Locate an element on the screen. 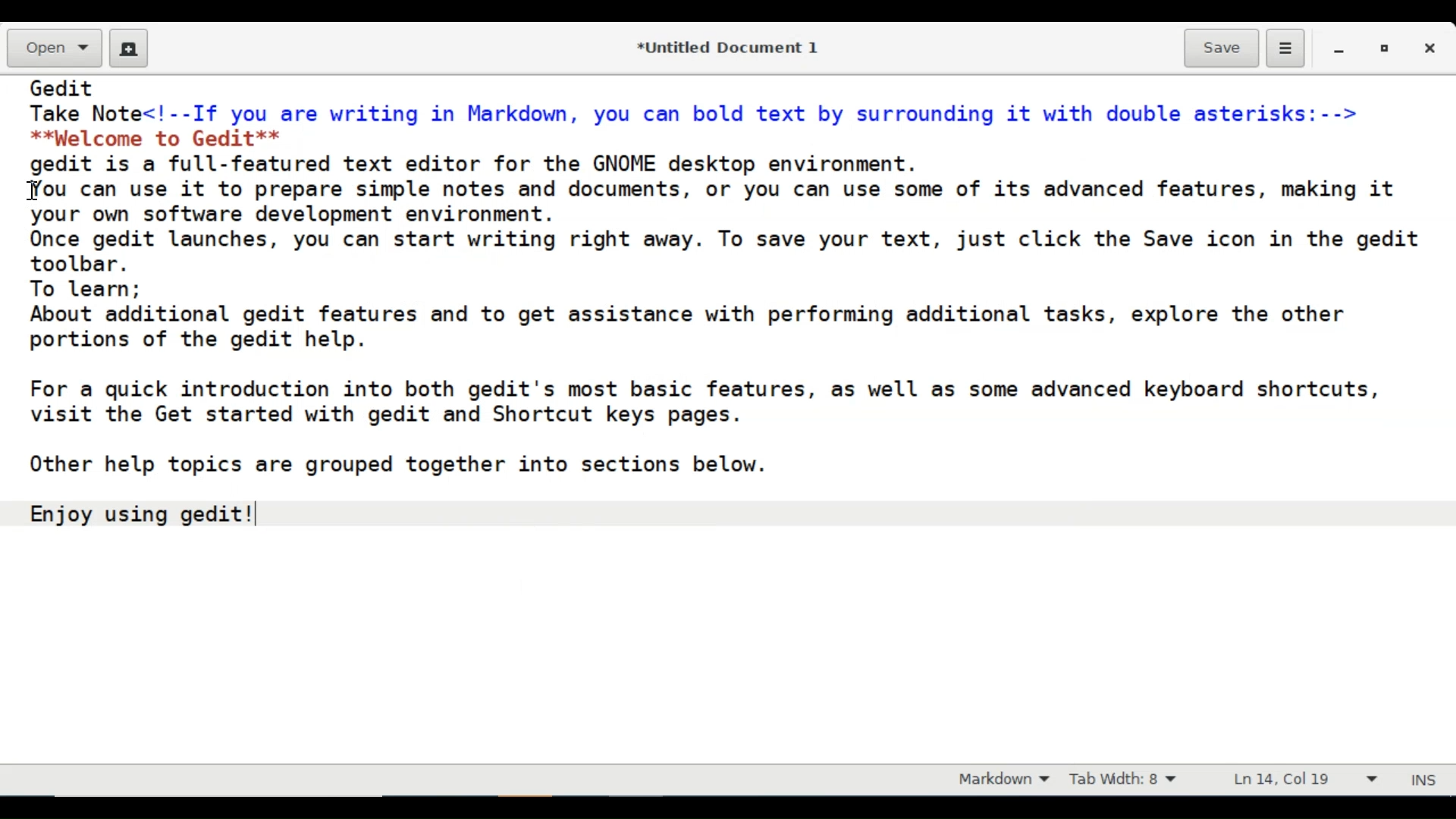  Highlight mod is located at coordinates (998, 780).